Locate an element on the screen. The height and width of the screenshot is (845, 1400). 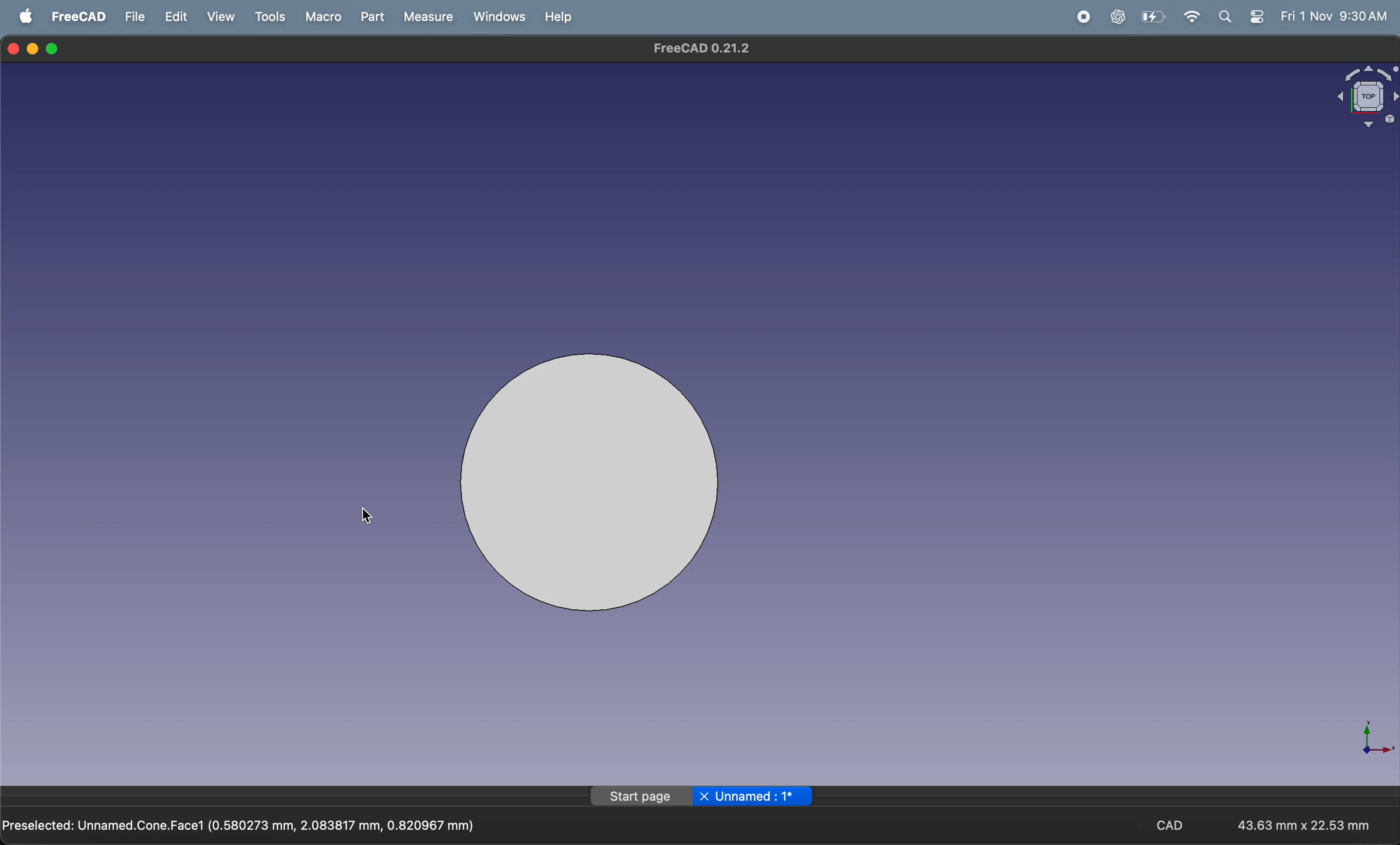
help is located at coordinates (557, 17).